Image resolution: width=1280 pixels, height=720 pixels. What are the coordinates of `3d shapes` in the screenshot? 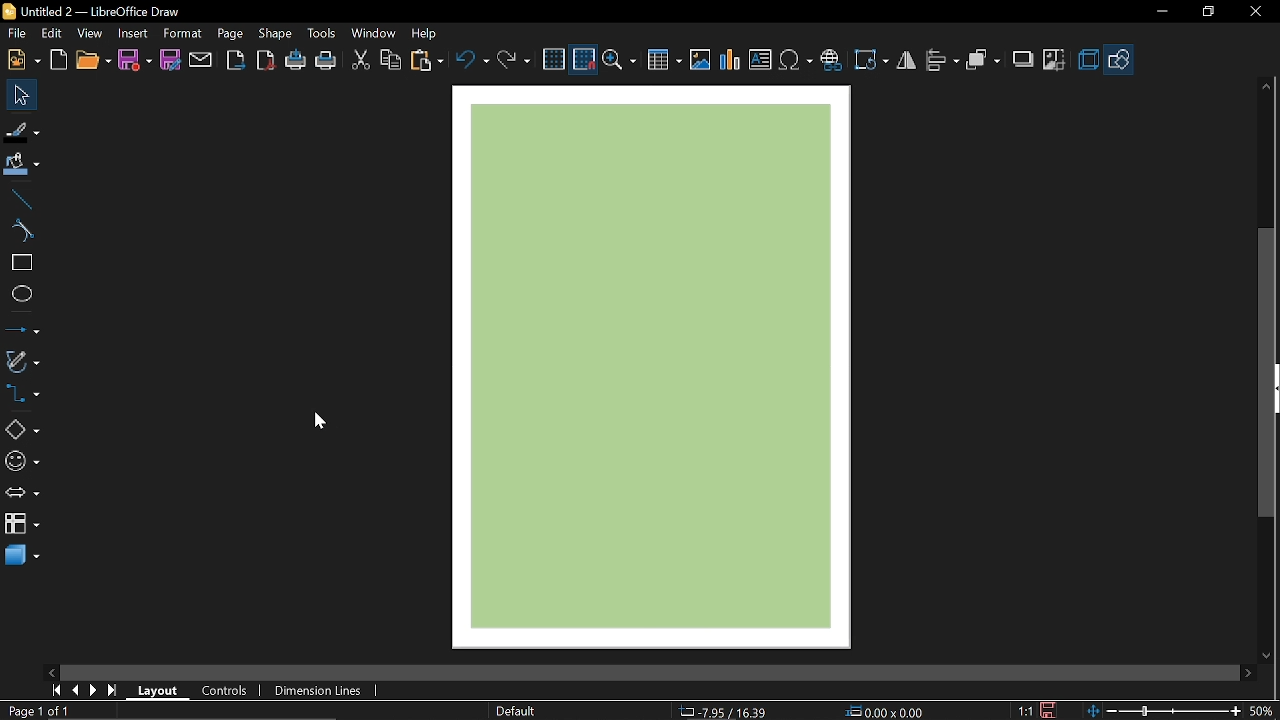 It's located at (22, 556).